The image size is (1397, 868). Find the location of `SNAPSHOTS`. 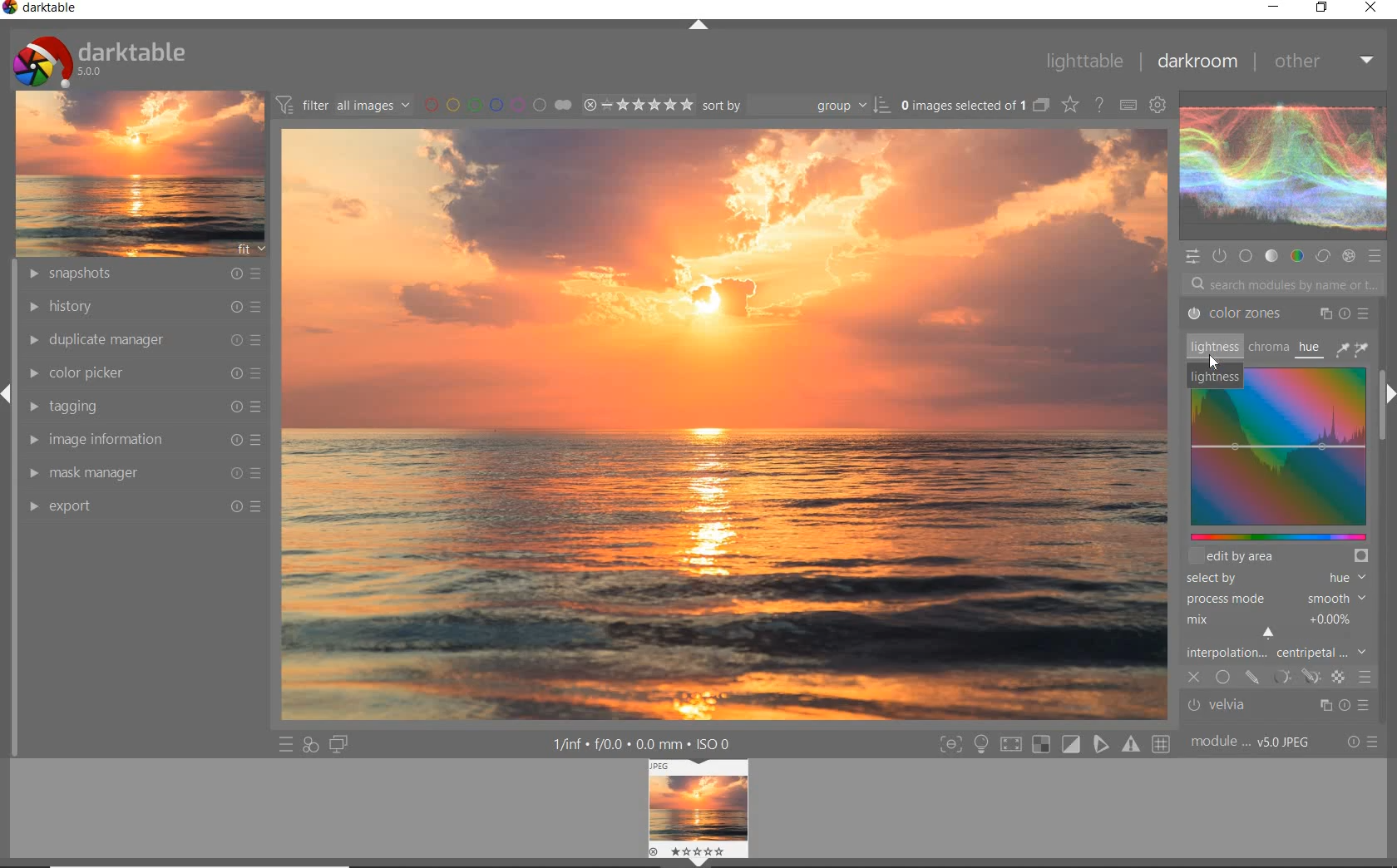

SNAPSHOTS is located at coordinates (143, 274).